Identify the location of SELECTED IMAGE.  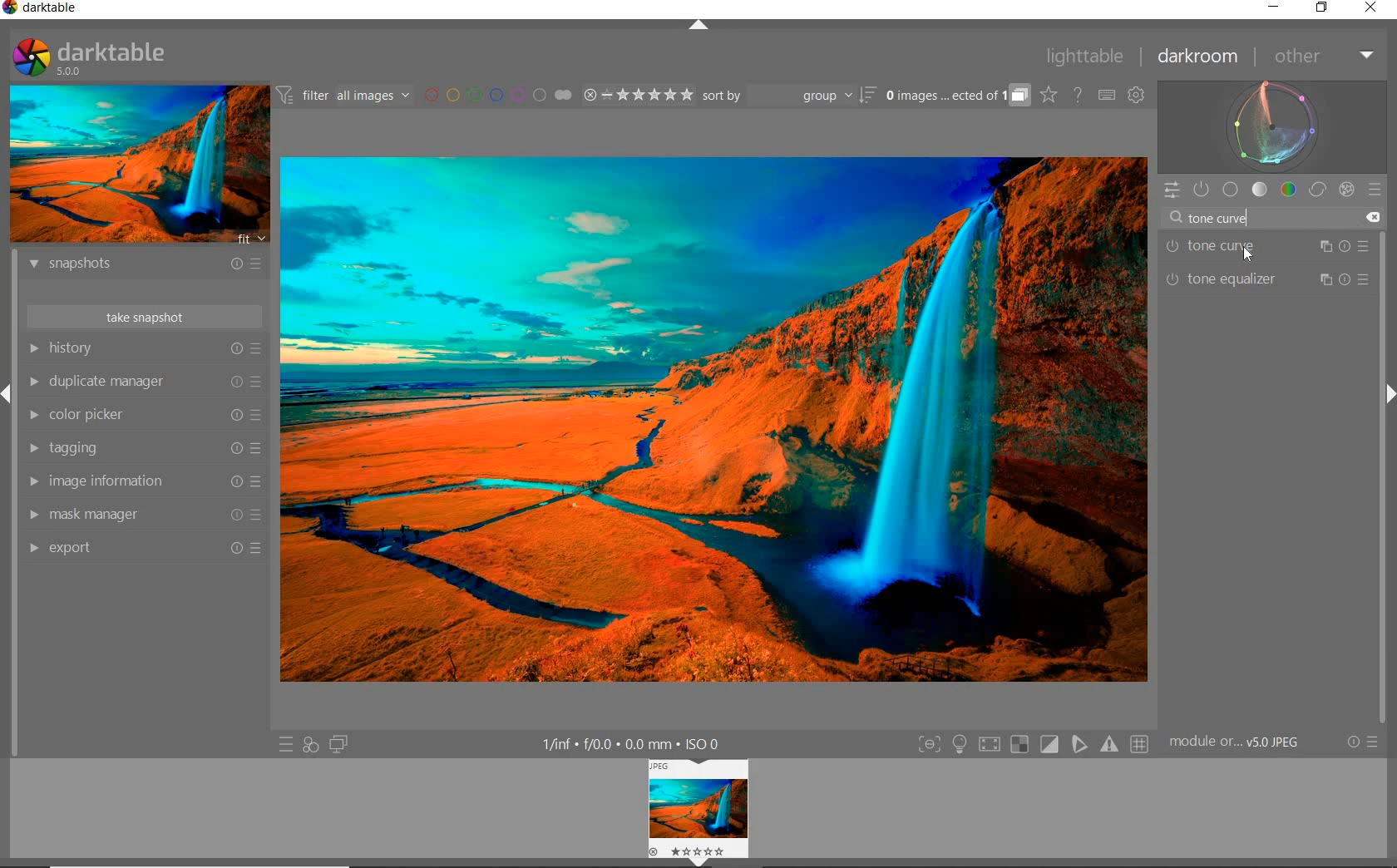
(711, 417).